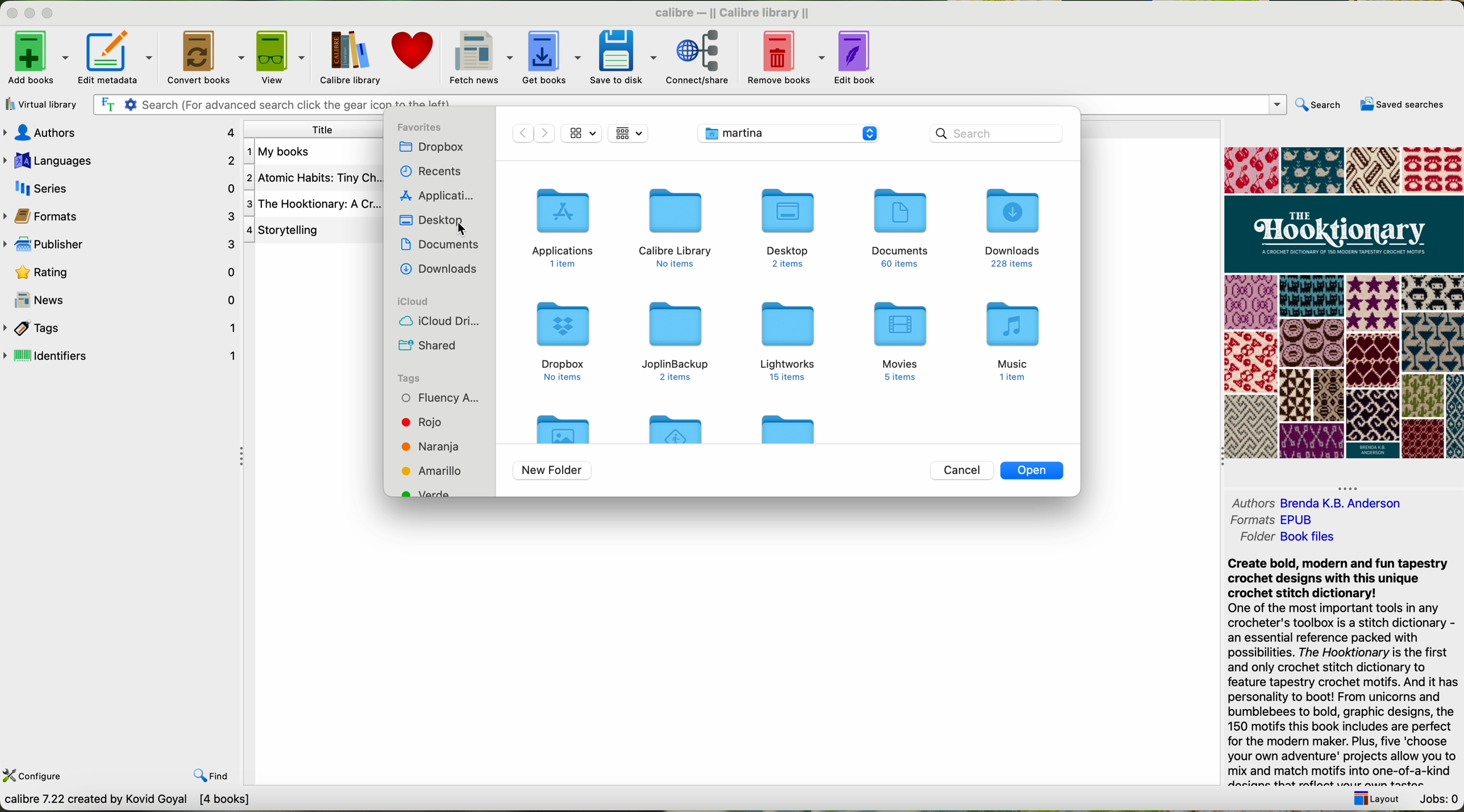 Image resolution: width=1464 pixels, height=812 pixels. Describe the element at coordinates (901, 343) in the screenshot. I see `movies folder` at that location.